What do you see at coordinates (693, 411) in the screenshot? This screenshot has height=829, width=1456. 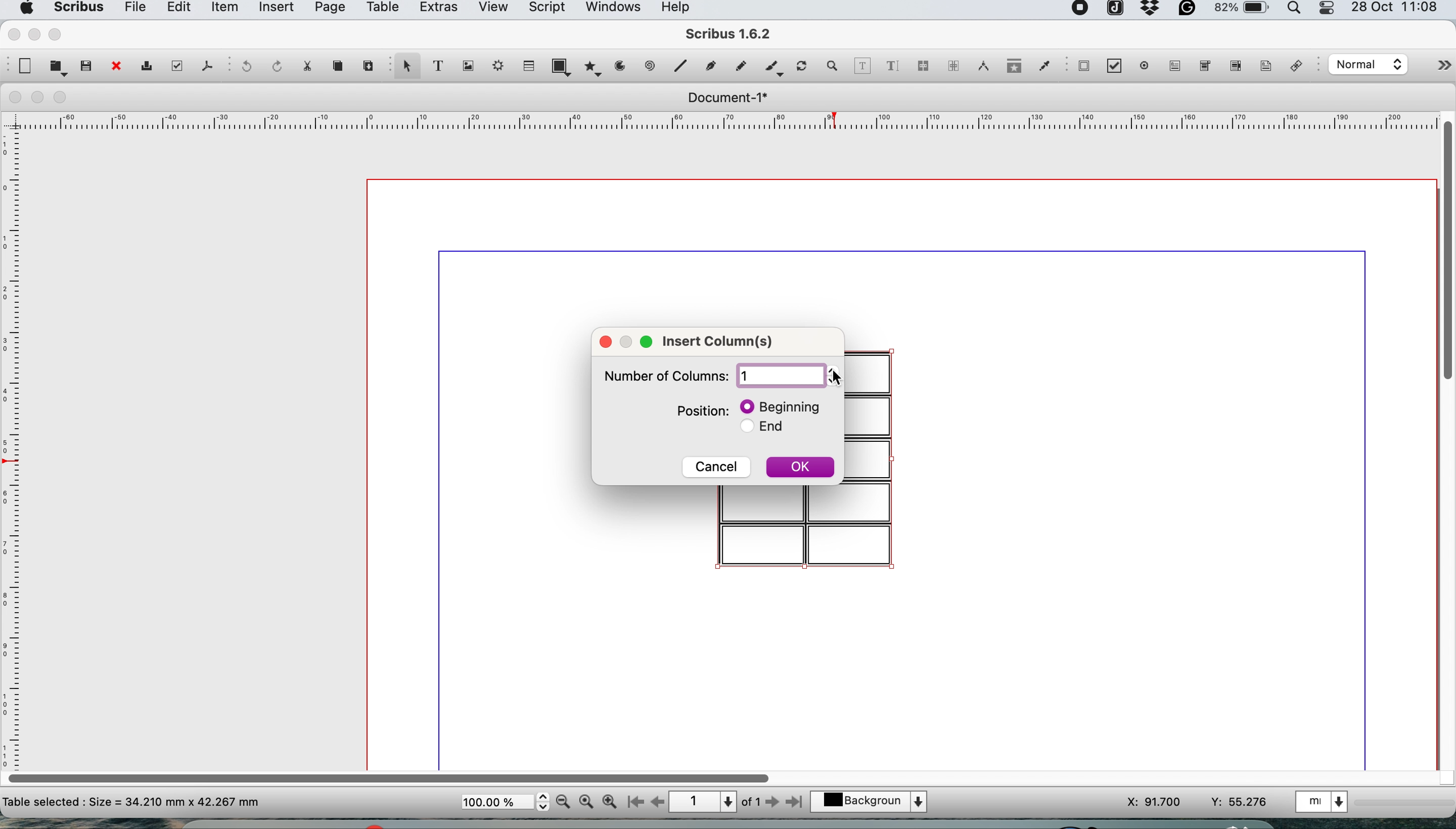 I see `position` at bounding box center [693, 411].